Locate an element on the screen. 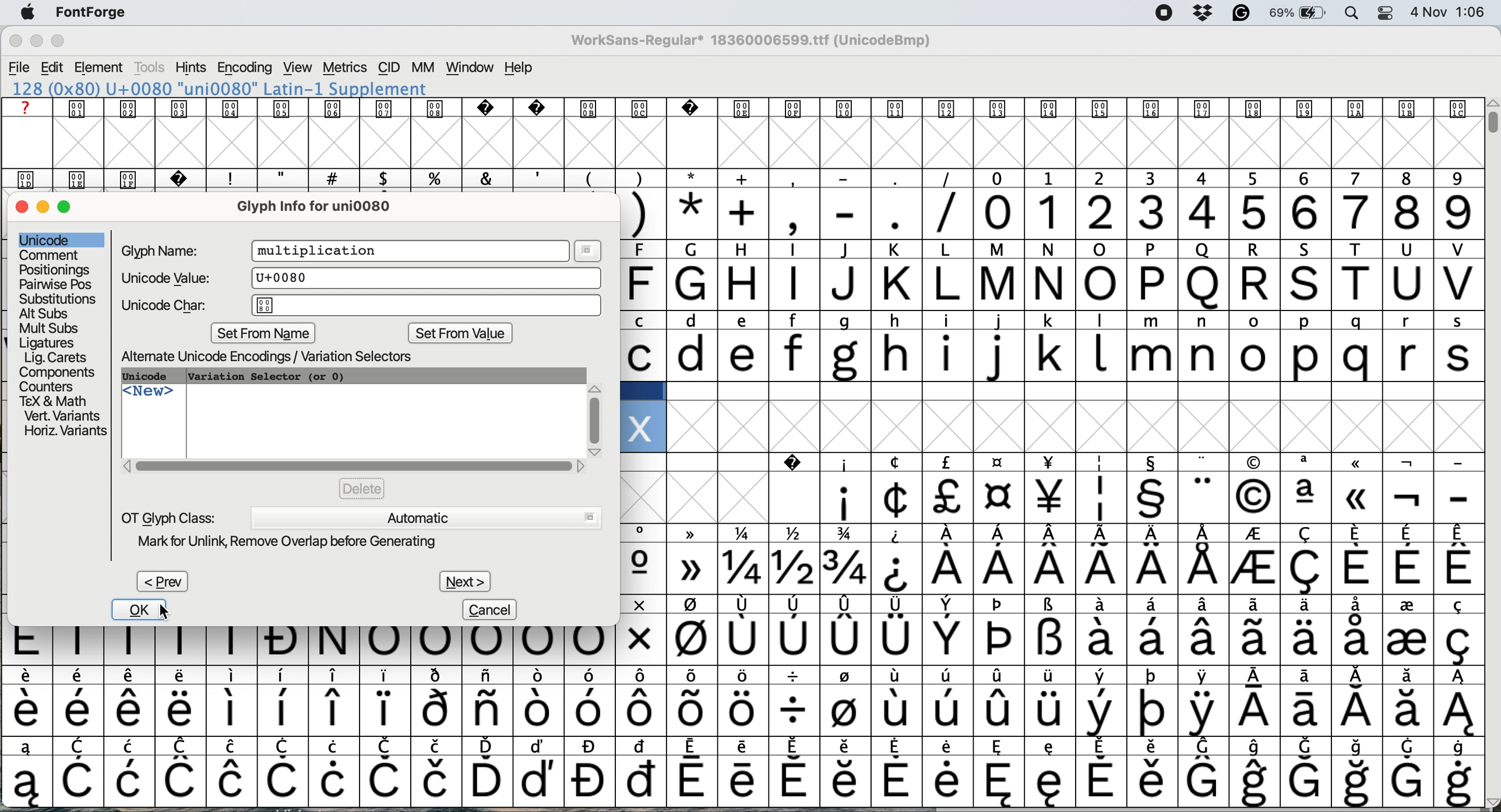  special characters is located at coordinates (739, 781).